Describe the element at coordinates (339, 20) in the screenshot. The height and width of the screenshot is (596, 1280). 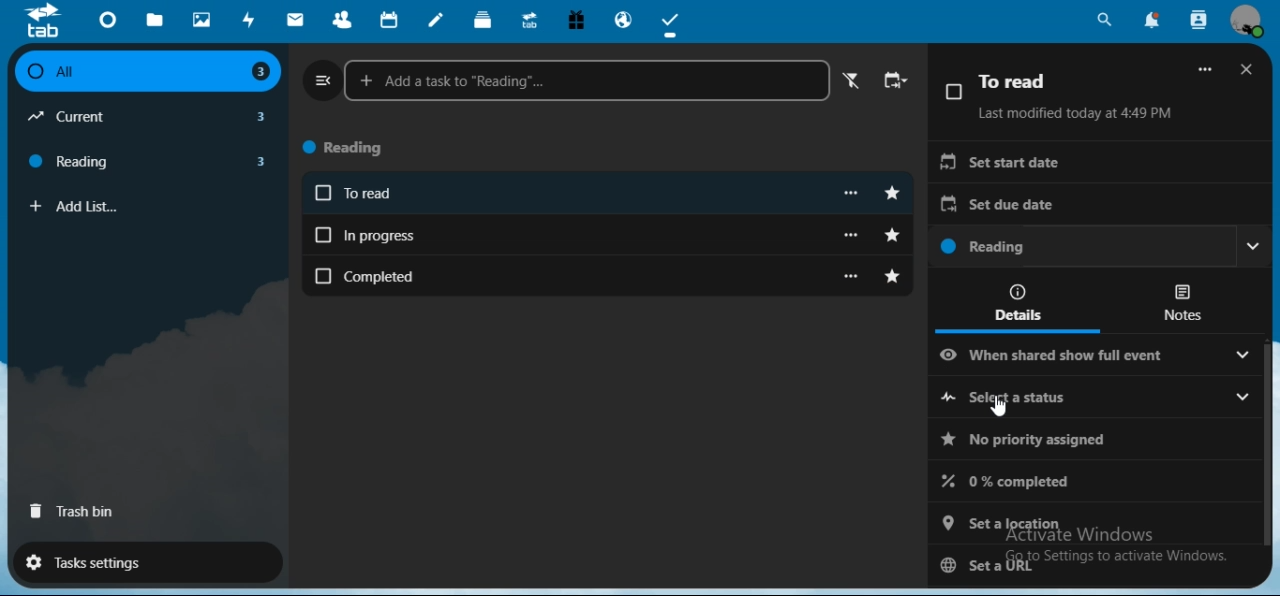
I see `contacts` at that location.